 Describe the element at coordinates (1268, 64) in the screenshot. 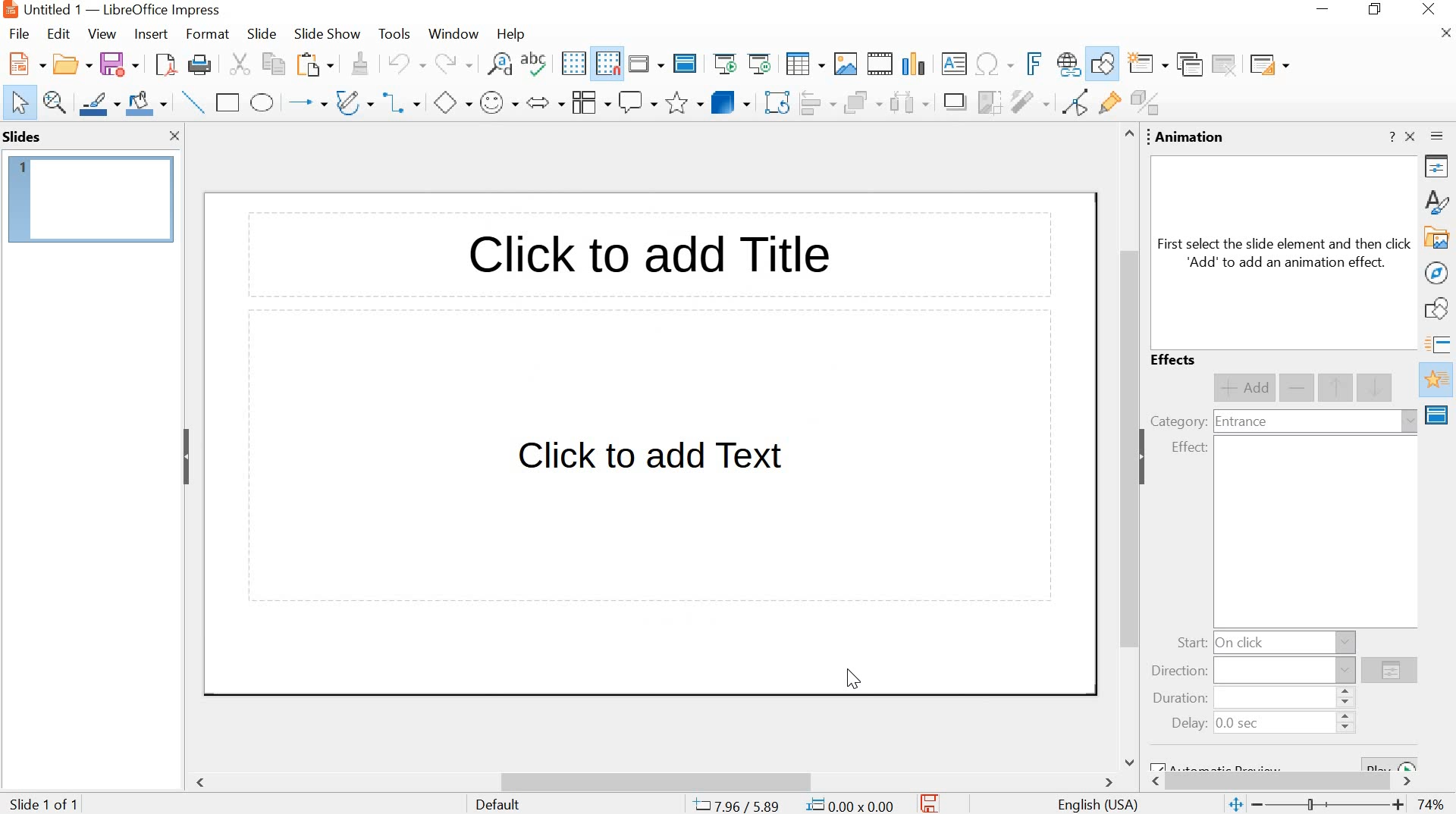

I see `slide layout` at that location.